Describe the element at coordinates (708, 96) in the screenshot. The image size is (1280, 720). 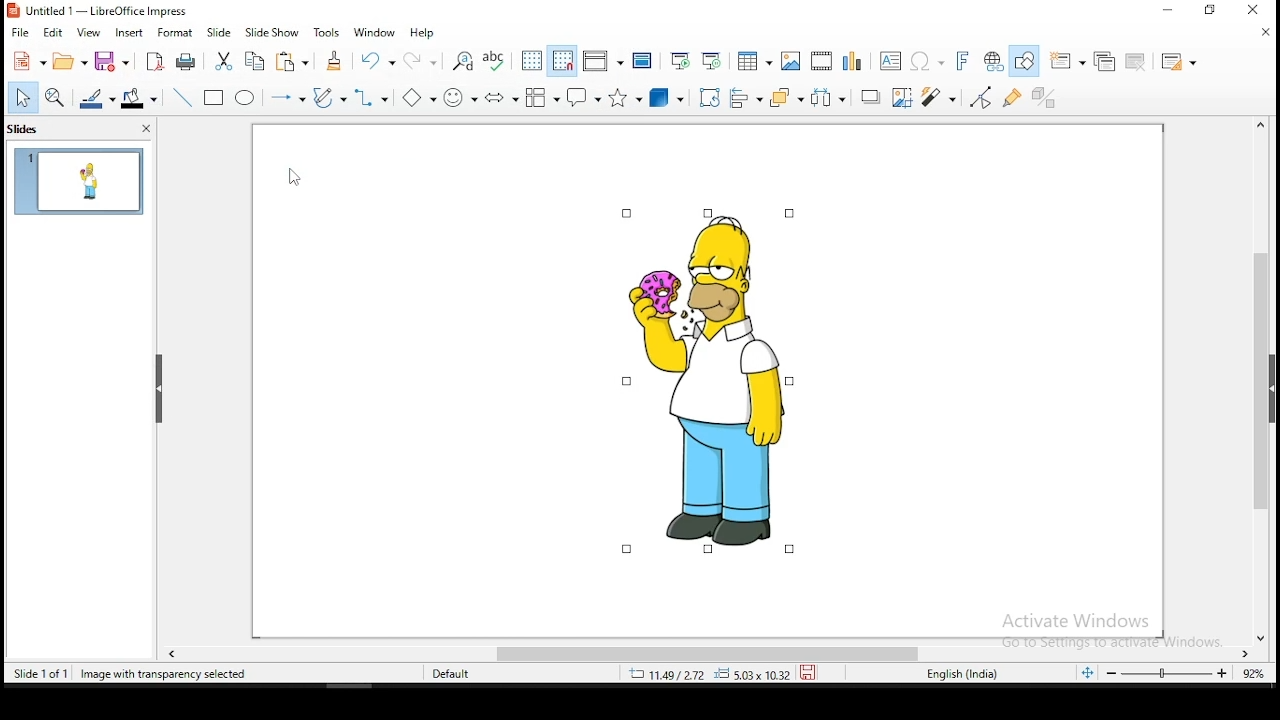
I see `rotate` at that location.